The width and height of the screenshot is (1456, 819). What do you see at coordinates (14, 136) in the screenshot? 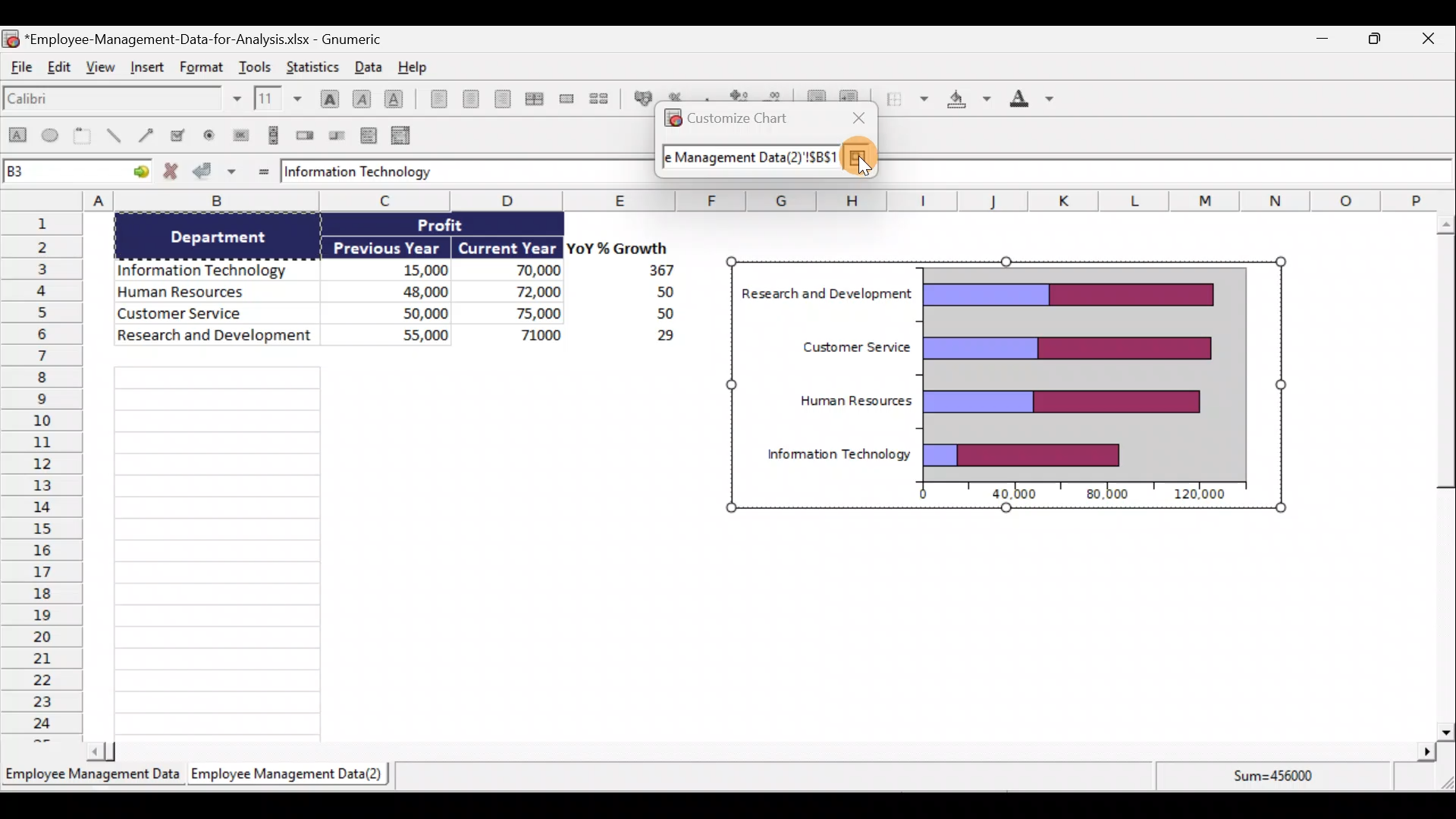
I see `Create a rectangle object` at bounding box center [14, 136].